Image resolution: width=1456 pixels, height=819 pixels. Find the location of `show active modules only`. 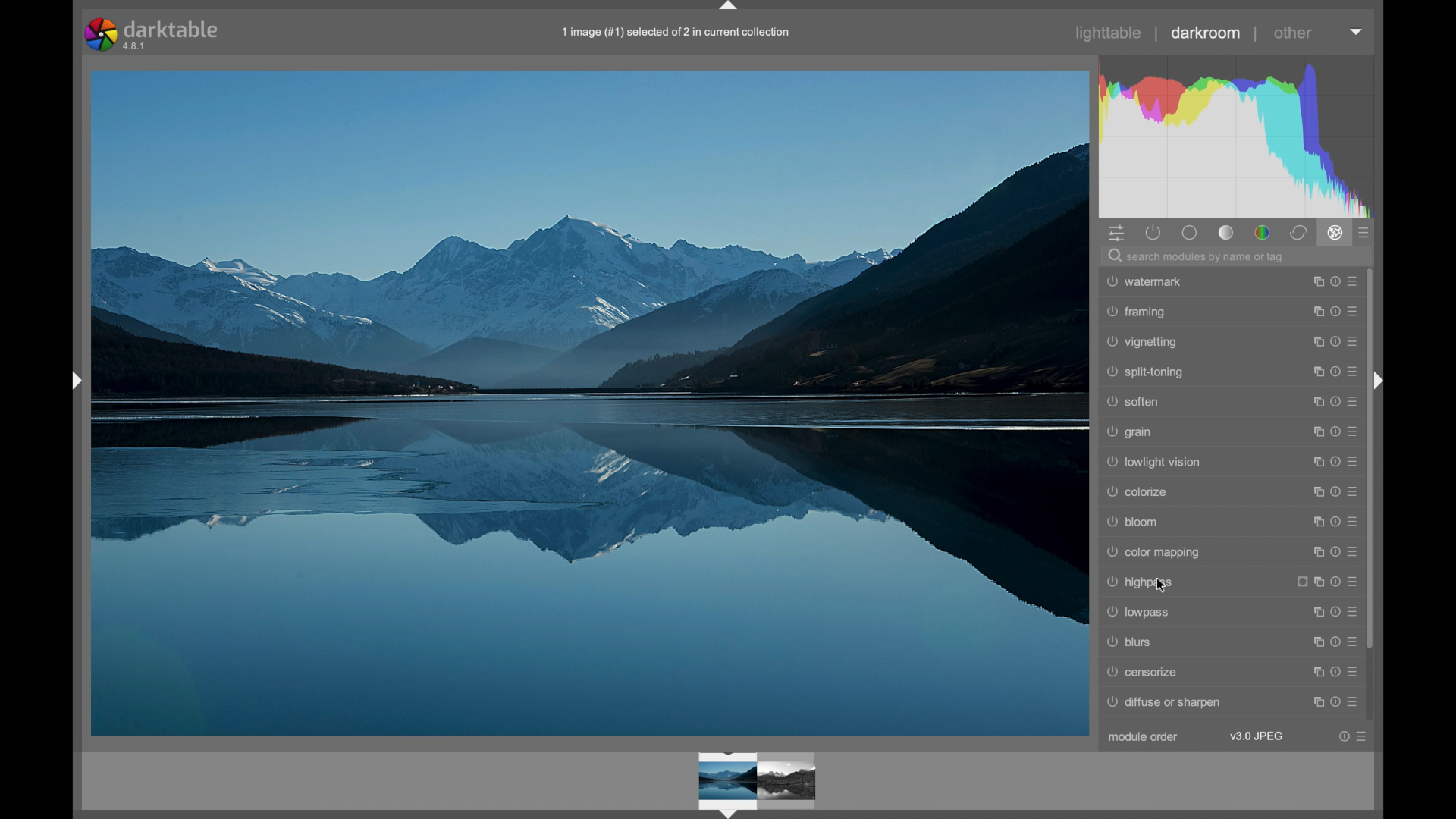

show active modules only is located at coordinates (1153, 233).